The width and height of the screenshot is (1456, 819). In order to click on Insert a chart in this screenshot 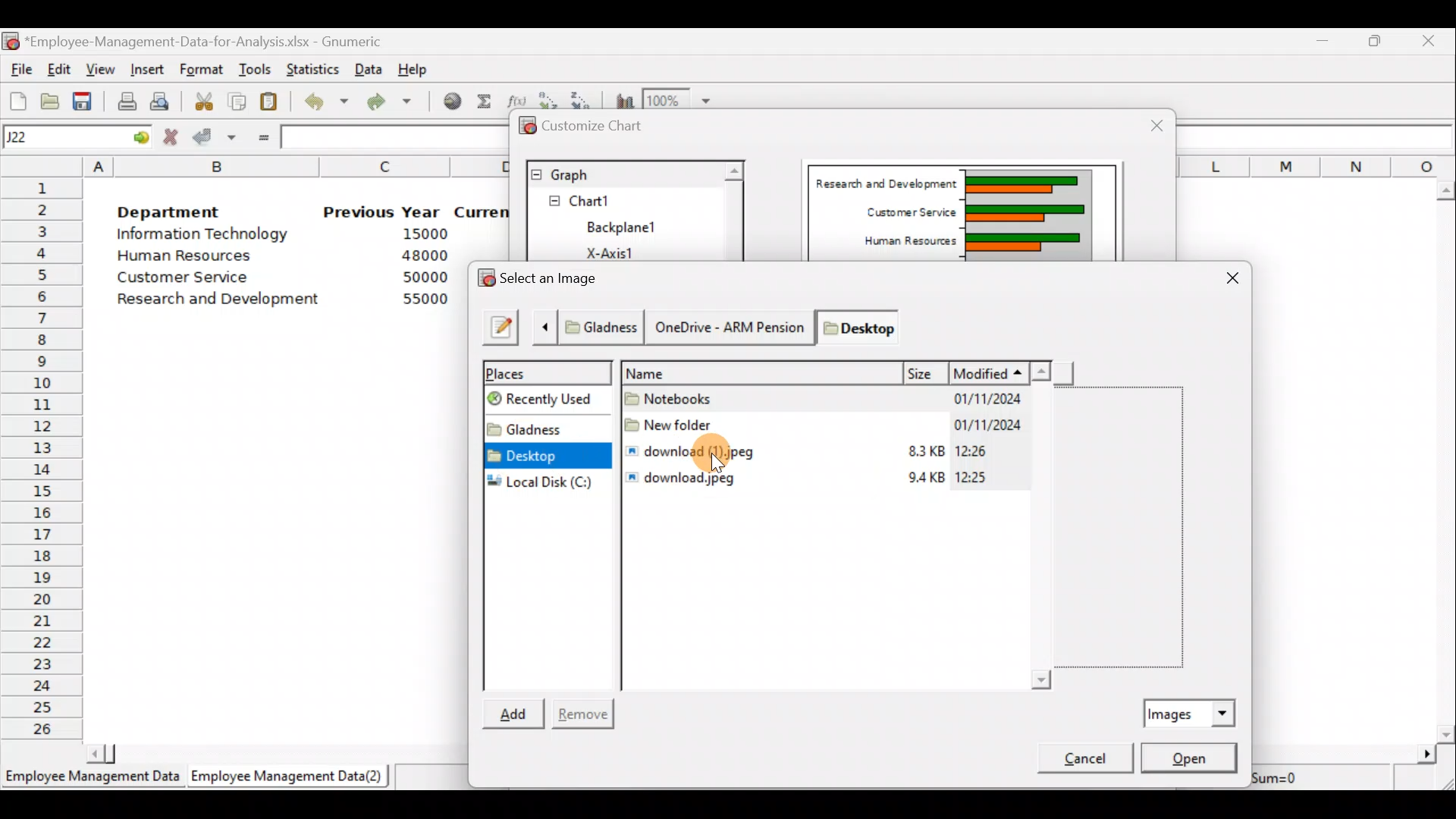, I will do `click(622, 99)`.